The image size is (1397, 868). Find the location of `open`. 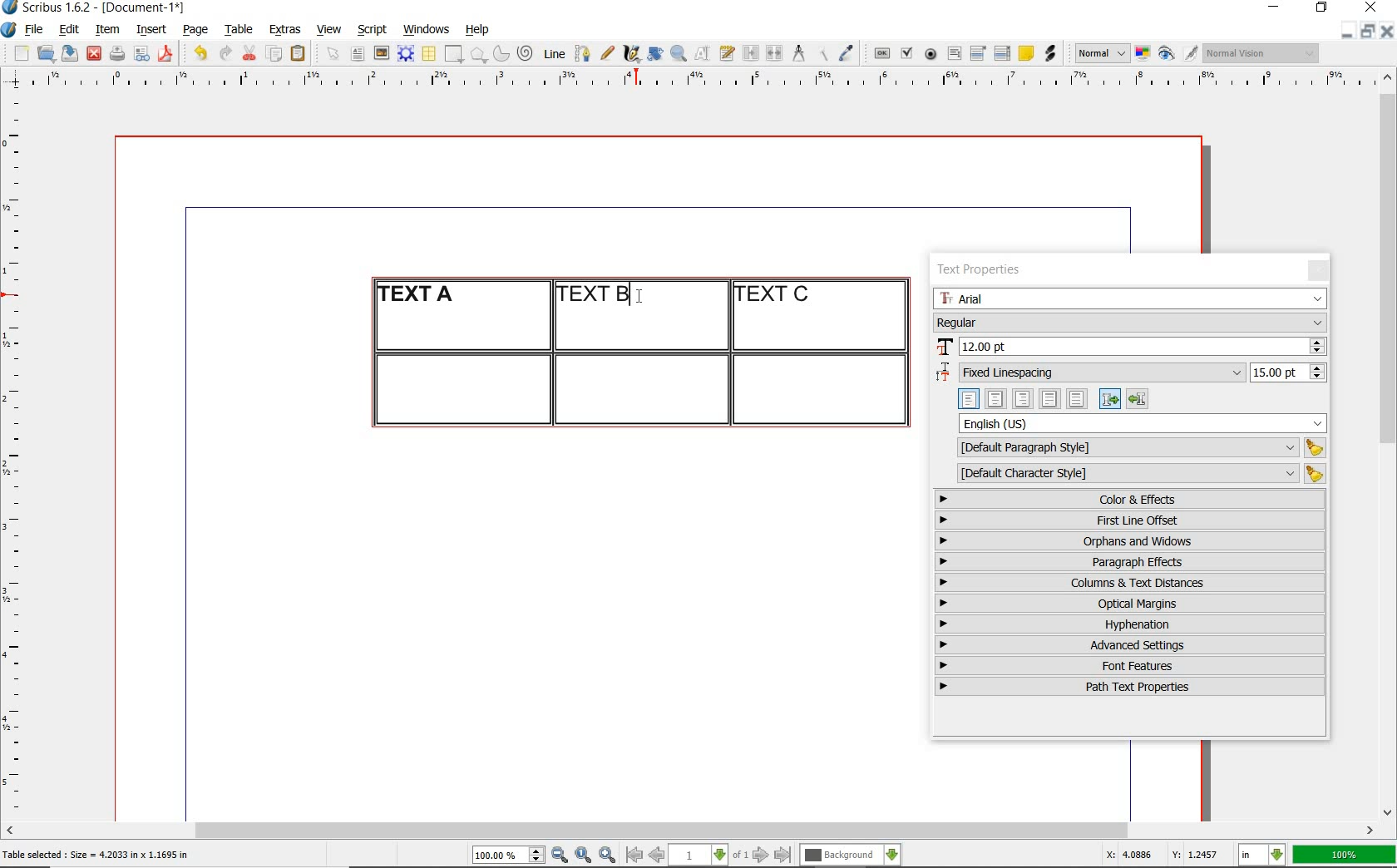

open is located at coordinates (45, 52).